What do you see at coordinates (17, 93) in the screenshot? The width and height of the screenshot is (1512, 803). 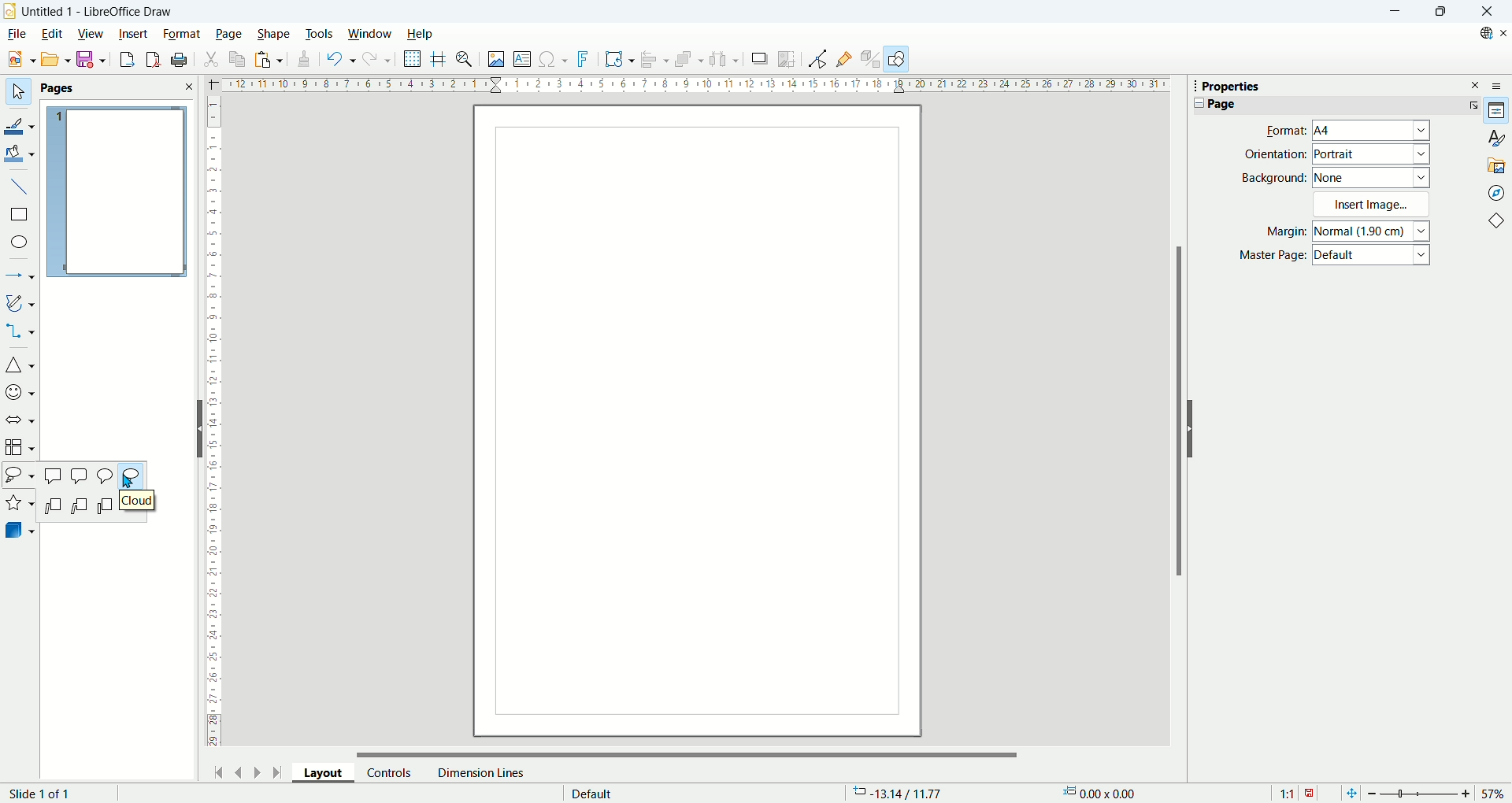 I see `select` at bounding box center [17, 93].